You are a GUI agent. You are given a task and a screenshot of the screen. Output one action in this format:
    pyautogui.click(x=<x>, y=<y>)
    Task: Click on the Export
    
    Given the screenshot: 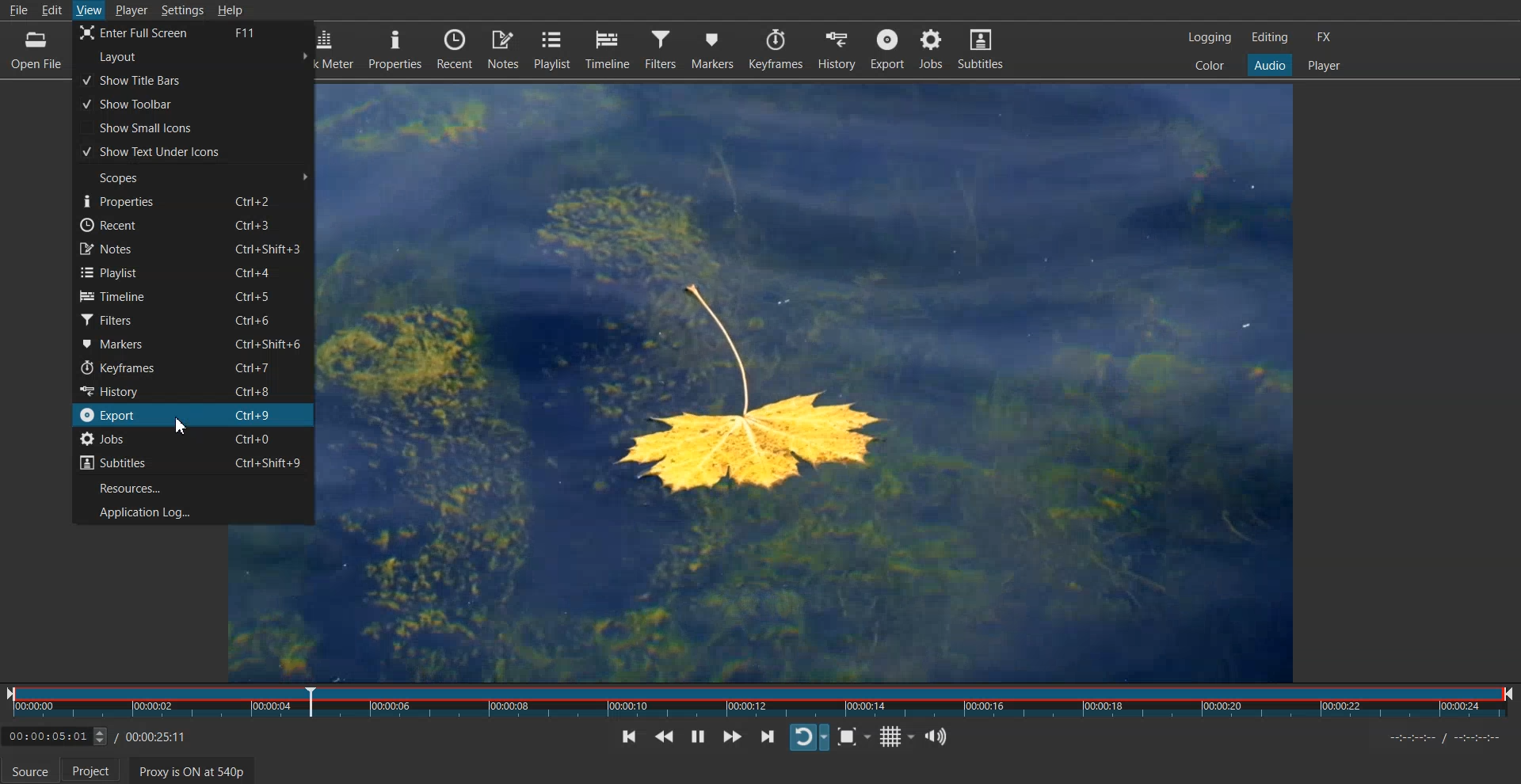 What is the action you would take?
    pyautogui.click(x=889, y=48)
    